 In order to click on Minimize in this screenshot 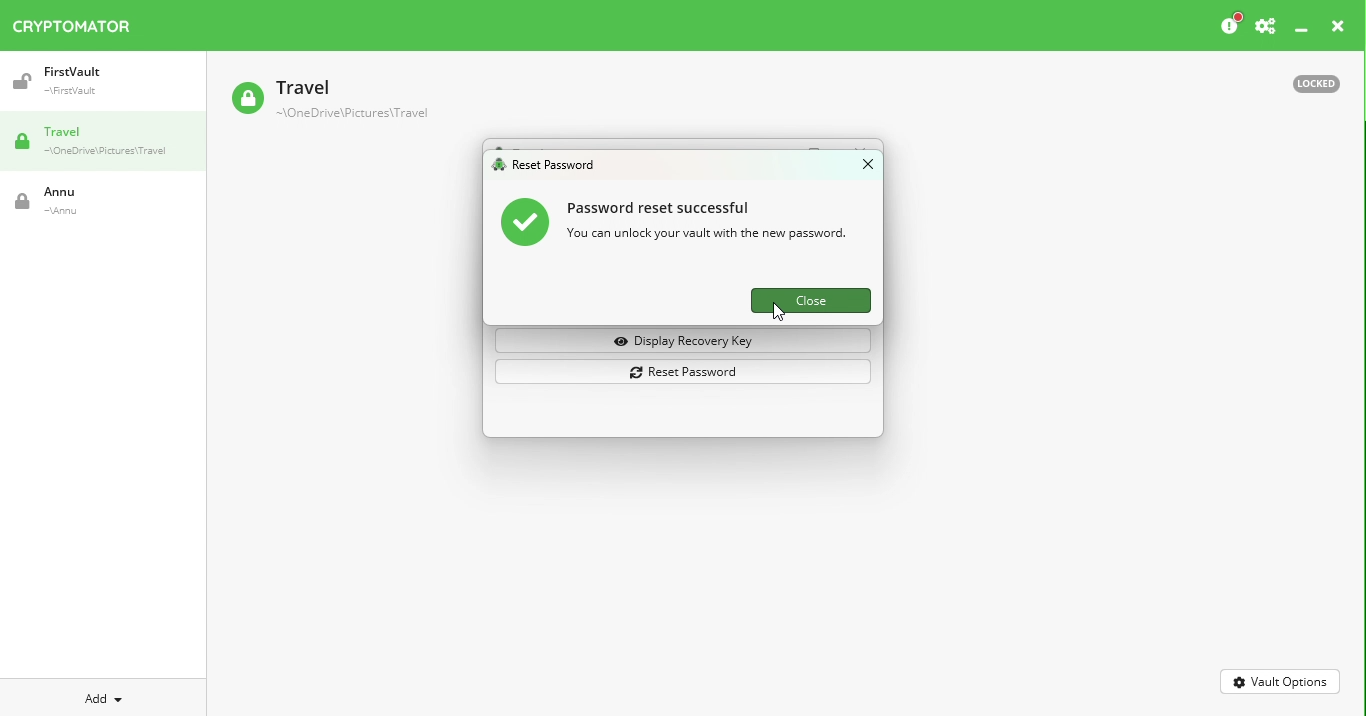, I will do `click(1302, 31)`.